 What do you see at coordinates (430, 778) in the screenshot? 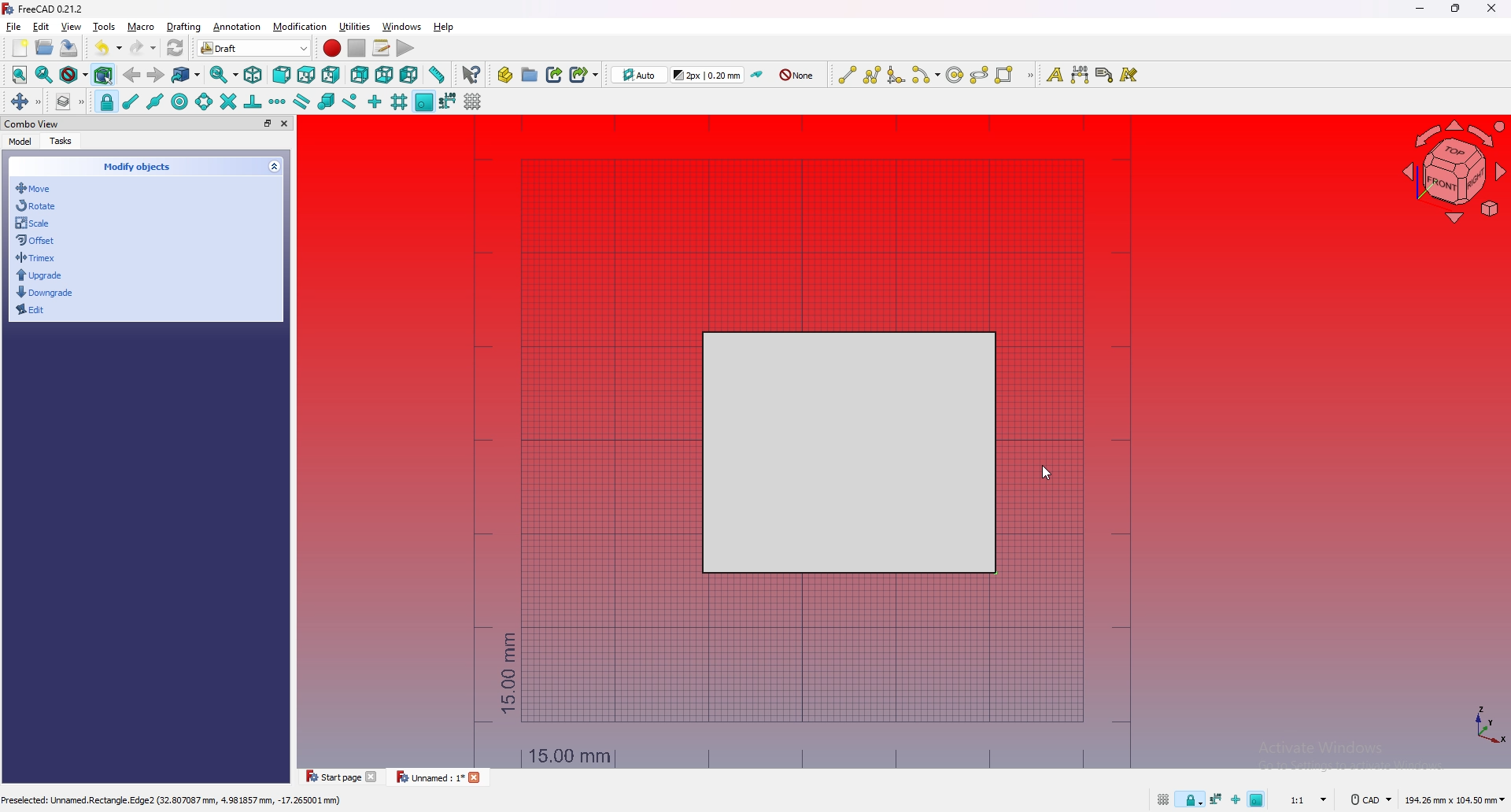
I see `unnamed : 1*` at bounding box center [430, 778].